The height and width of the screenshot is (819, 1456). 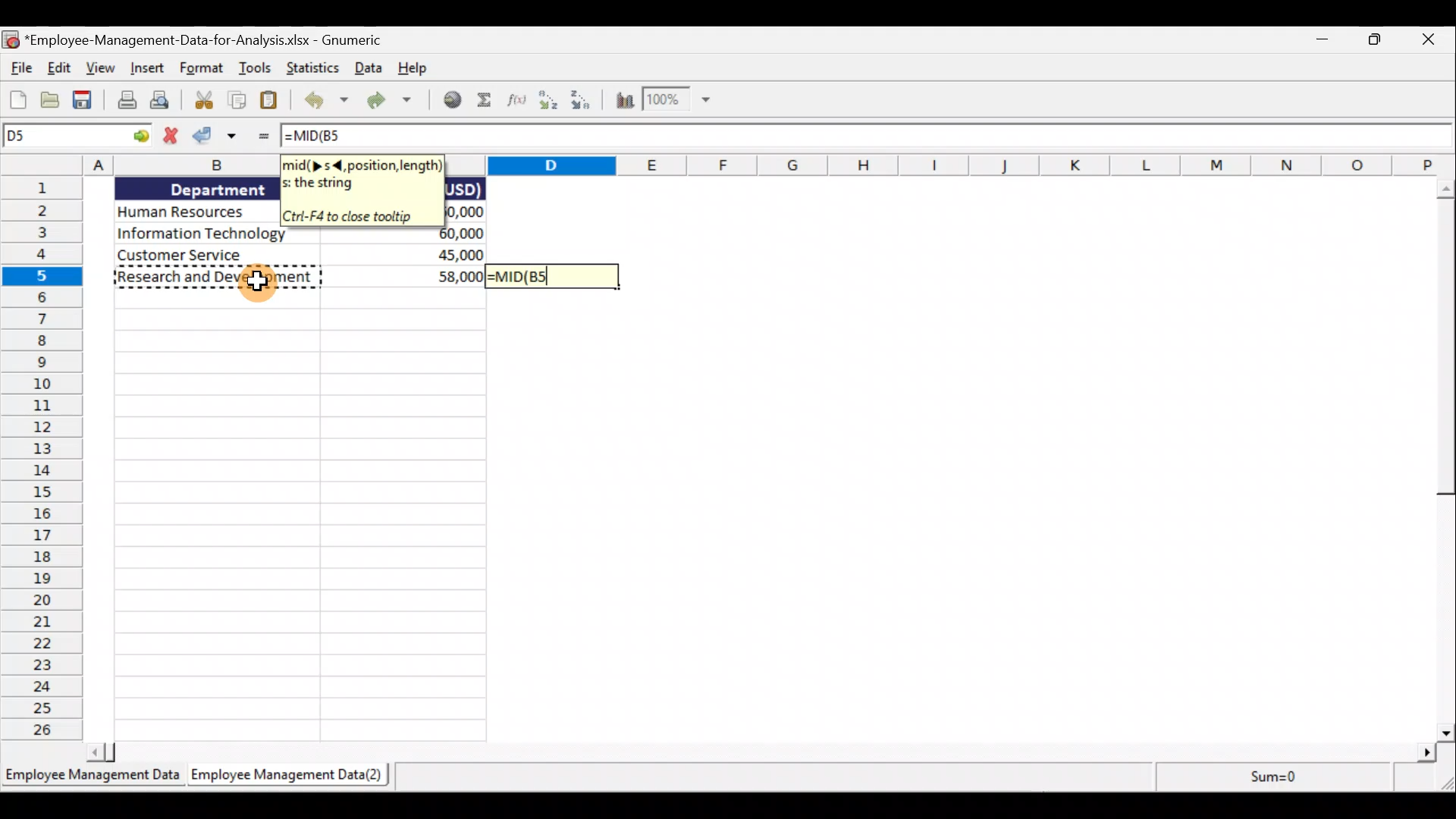 I want to click on Sum into the current cell, so click(x=485, y=103).